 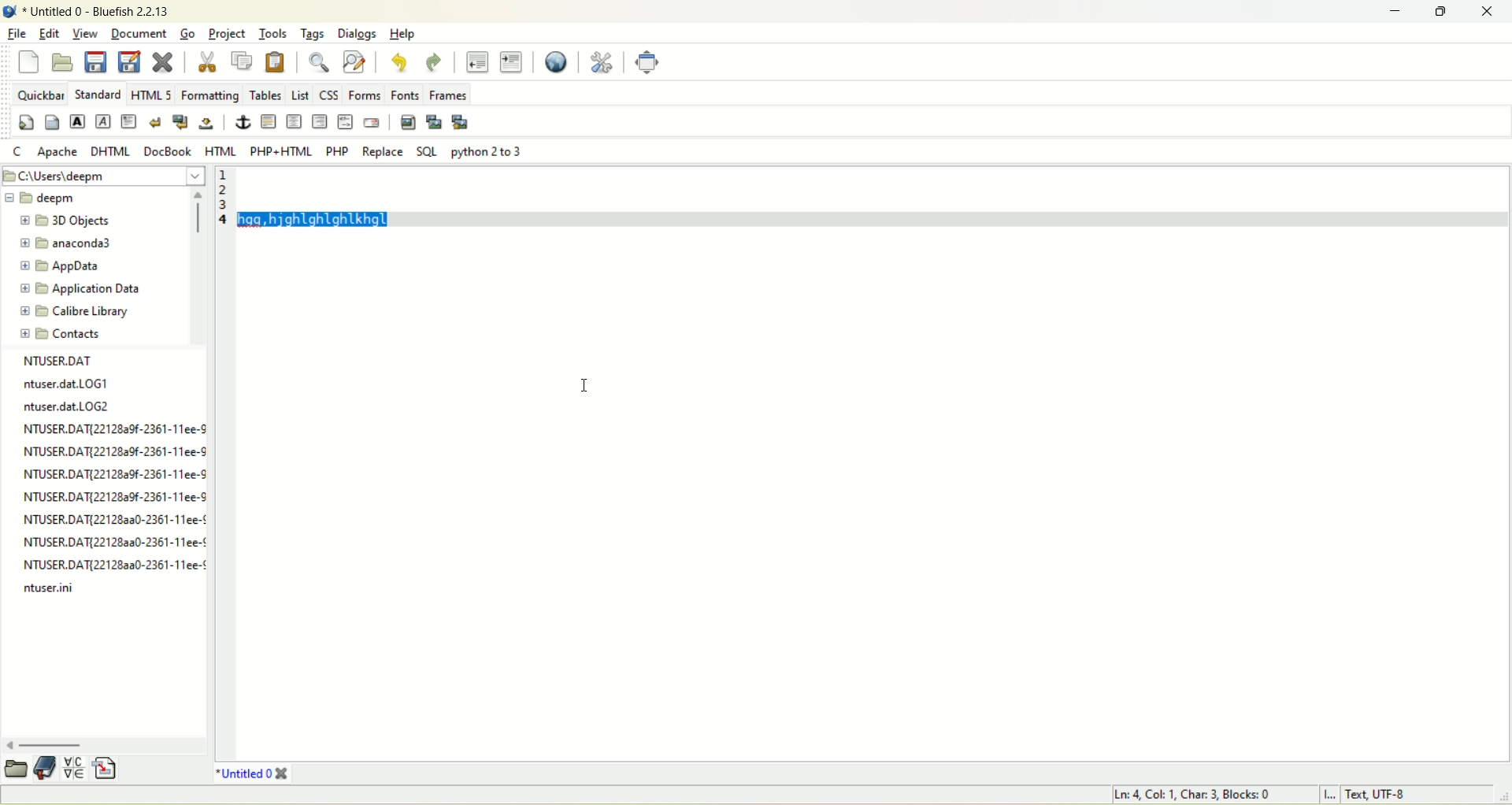 I want to click on ntuser.ini, so click(x=48, y=590).